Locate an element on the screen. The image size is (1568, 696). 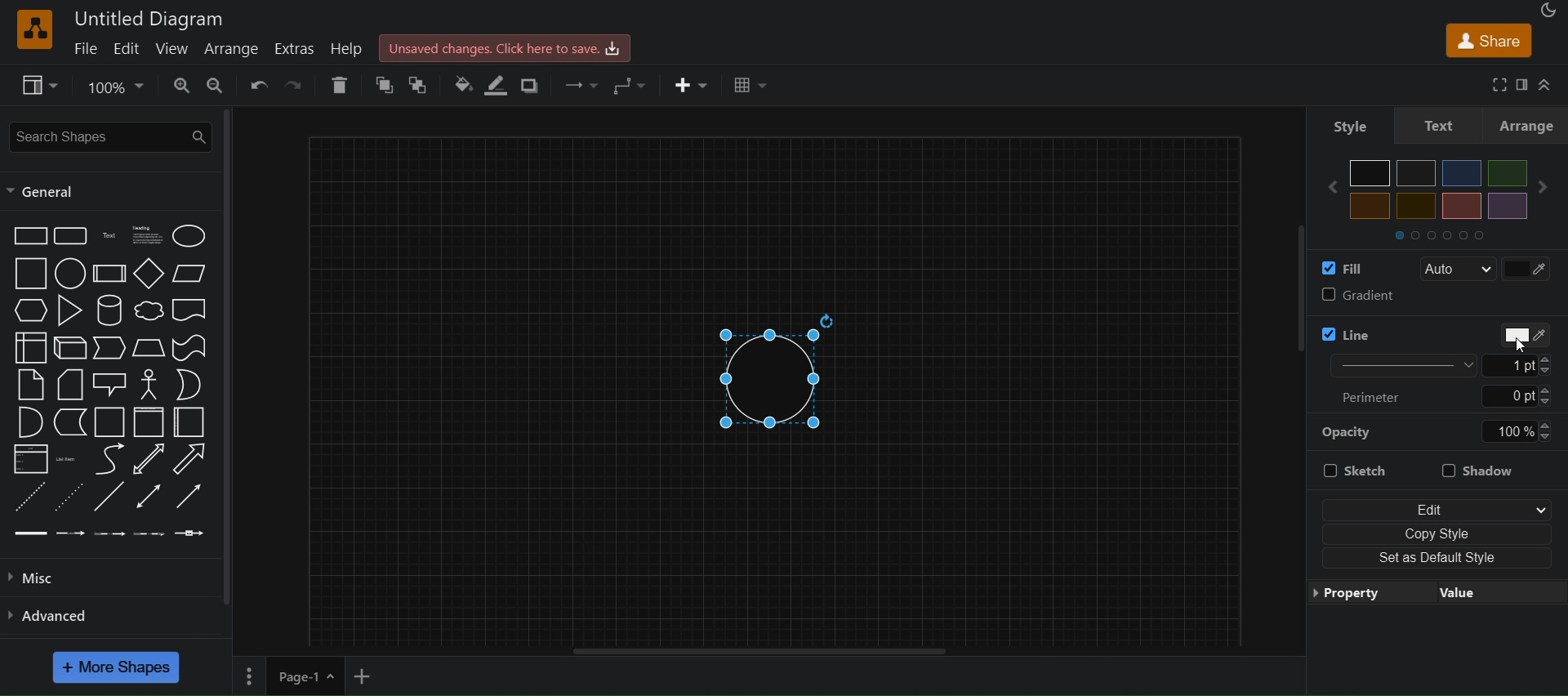
advanced is located at coordinates (57, 613).